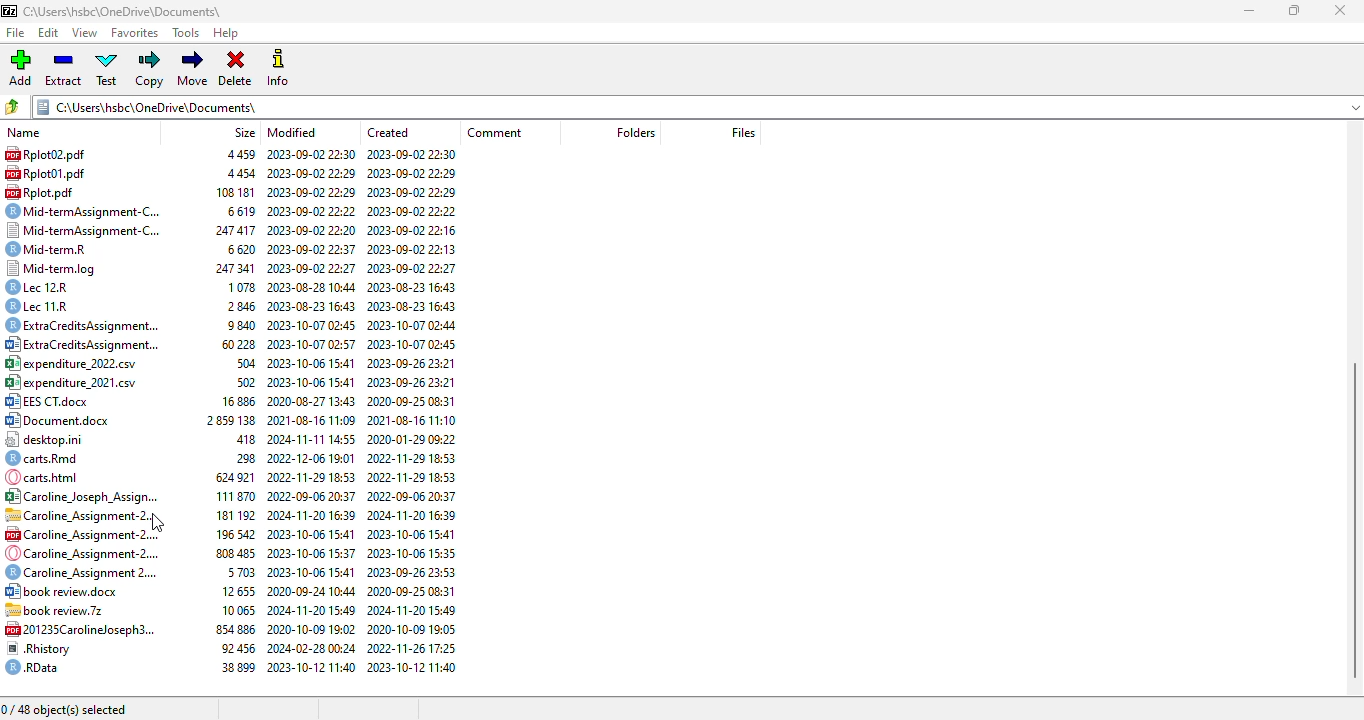 This screenshot has width=1364, height=720. Describe the element at coordinates (310, 192) in the screenshot. I see `2023-09-02 22:29` at that location.